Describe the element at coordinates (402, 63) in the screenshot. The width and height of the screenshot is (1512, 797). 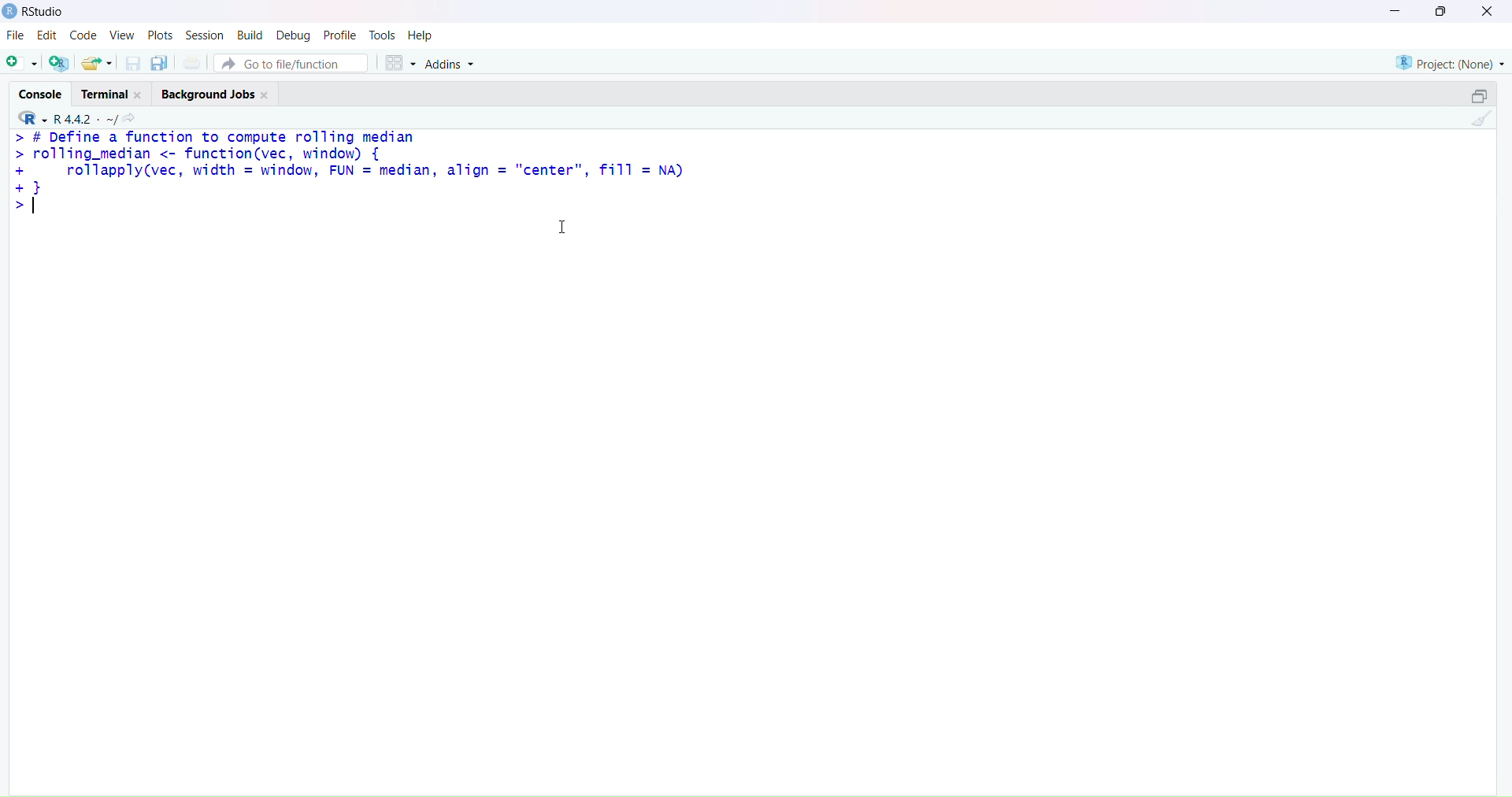
I see `grid` at that location.